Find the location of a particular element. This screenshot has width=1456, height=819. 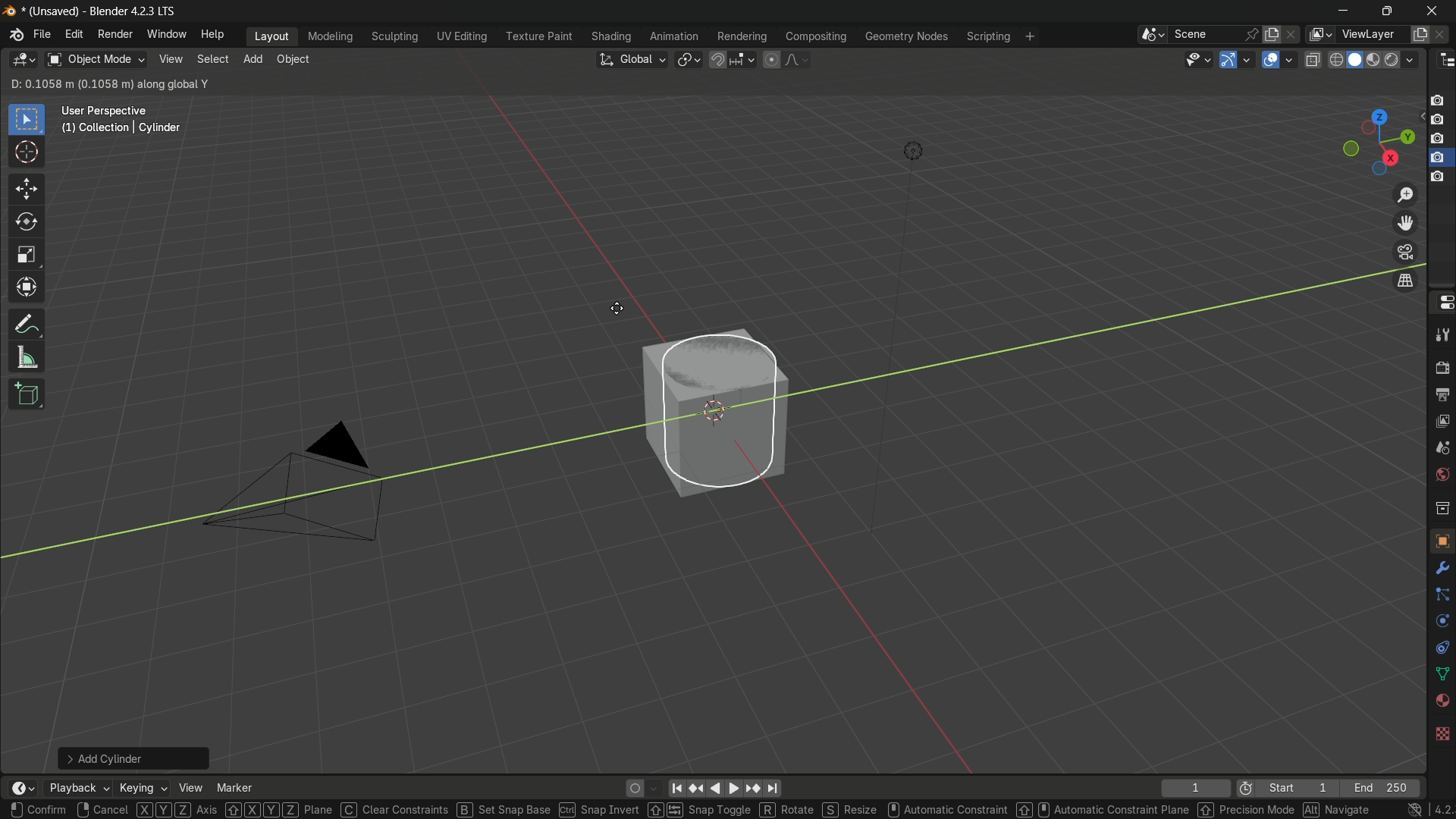

keying is located at coordinates (142, 788).